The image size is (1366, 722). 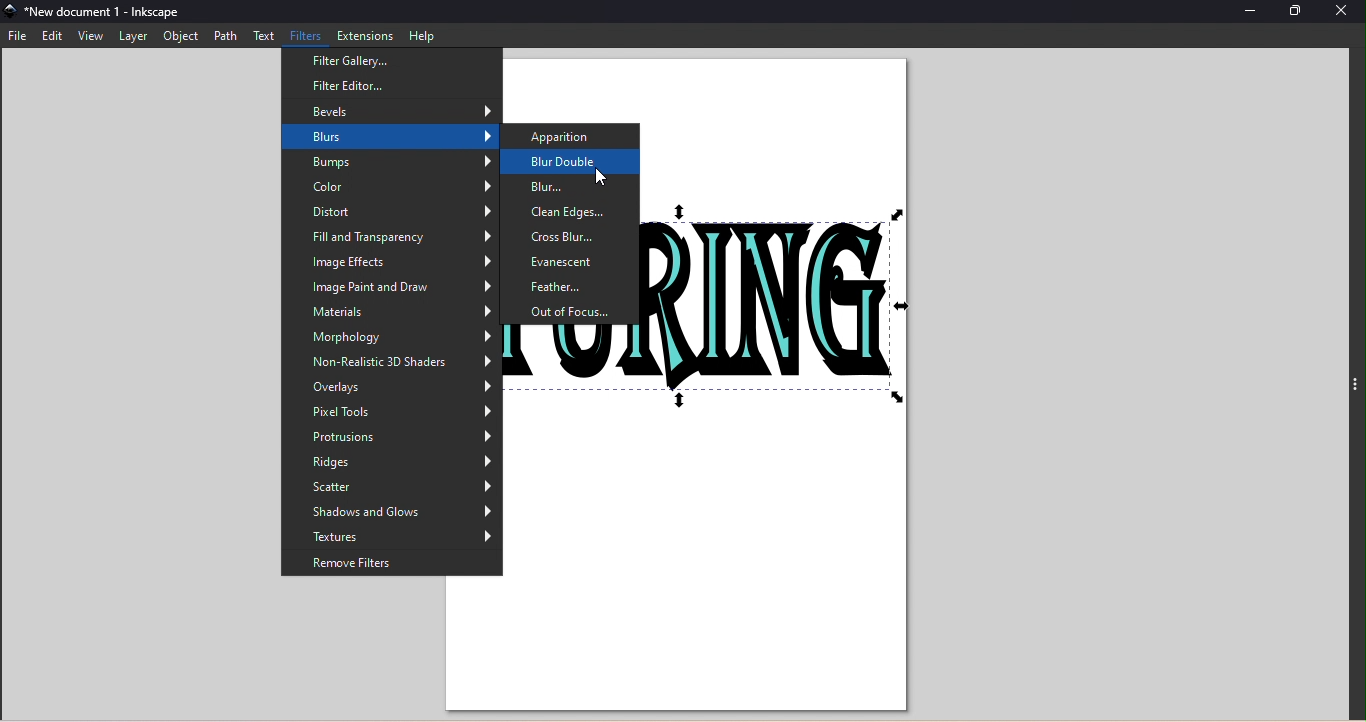 I want to click on Toggle command panel, so click(x=1355, y=390).